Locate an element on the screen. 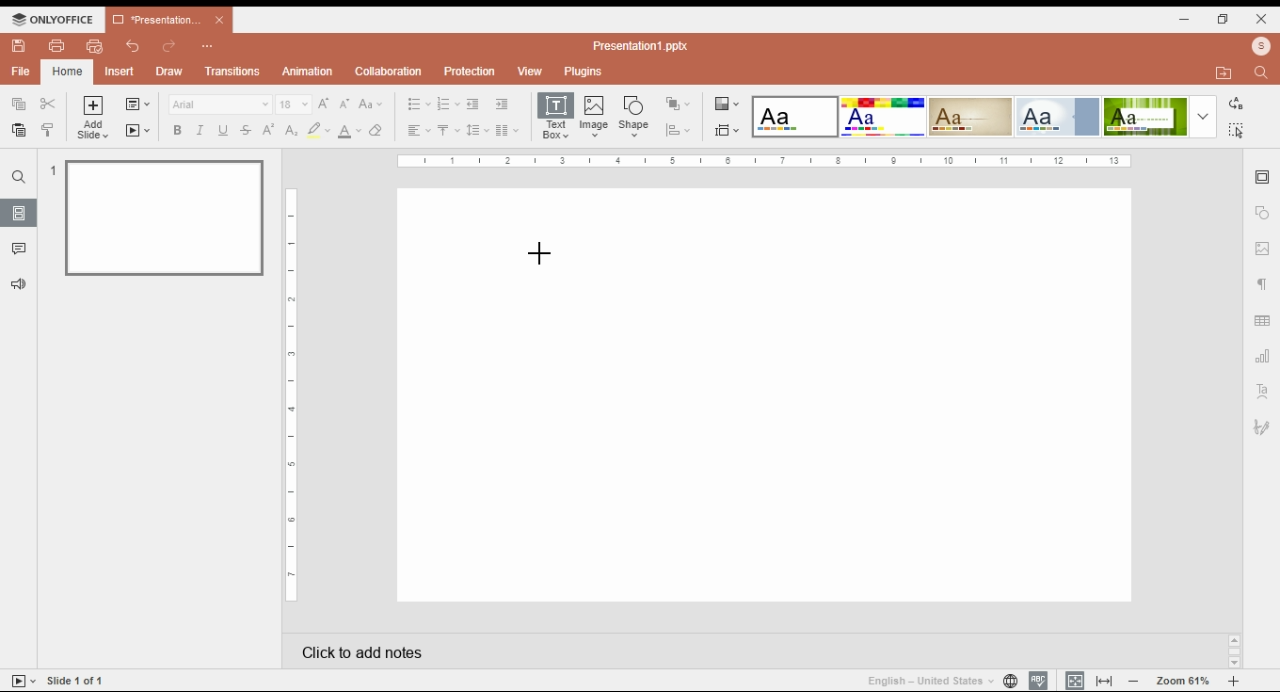 Image resolution: width=1280 pixels, height=692 pixels. increment font size is located at coordinates (325, 102).